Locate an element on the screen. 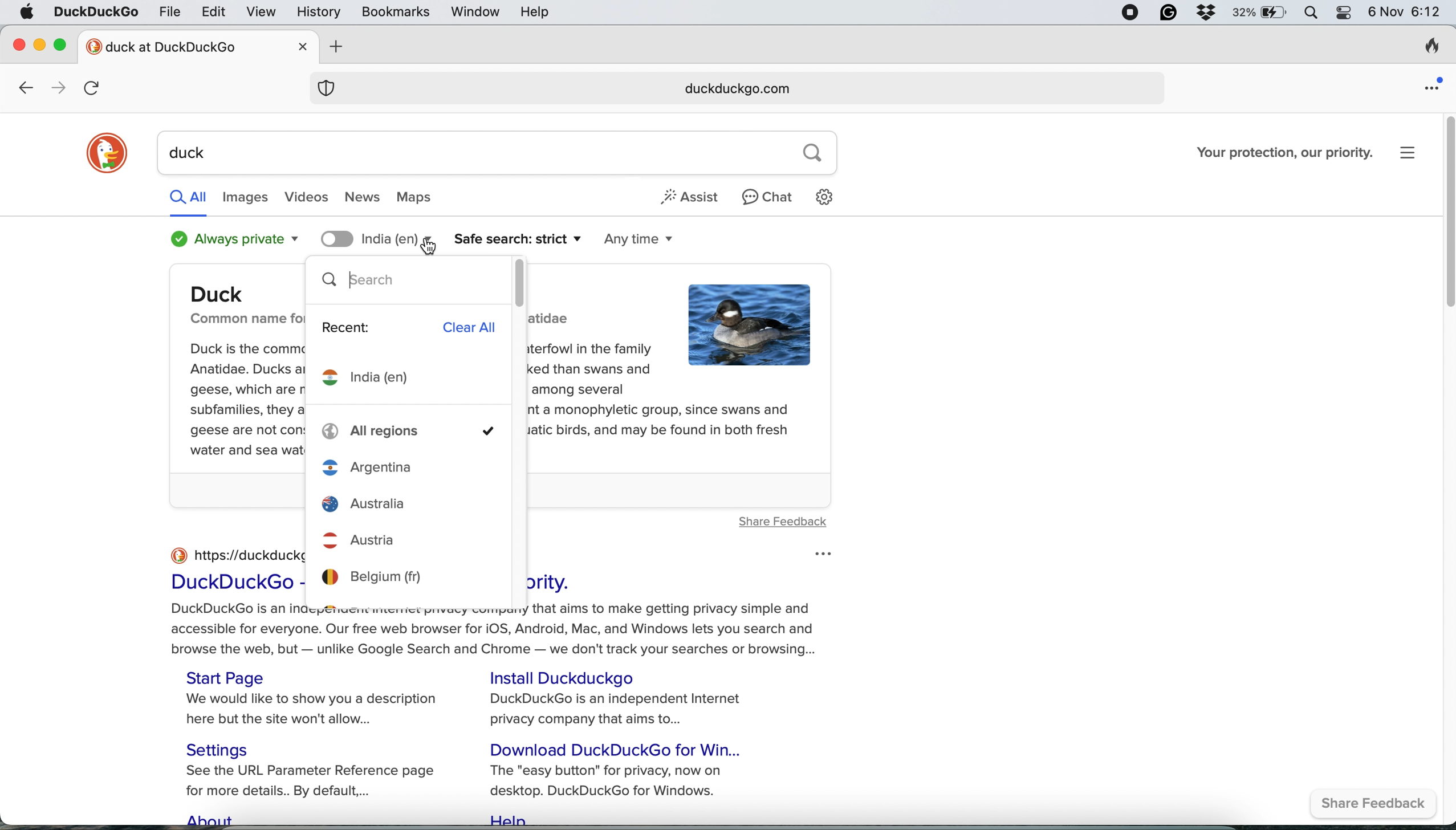 This screenshot has width=1456, height=830. videos is located at coordinates (309, 198).